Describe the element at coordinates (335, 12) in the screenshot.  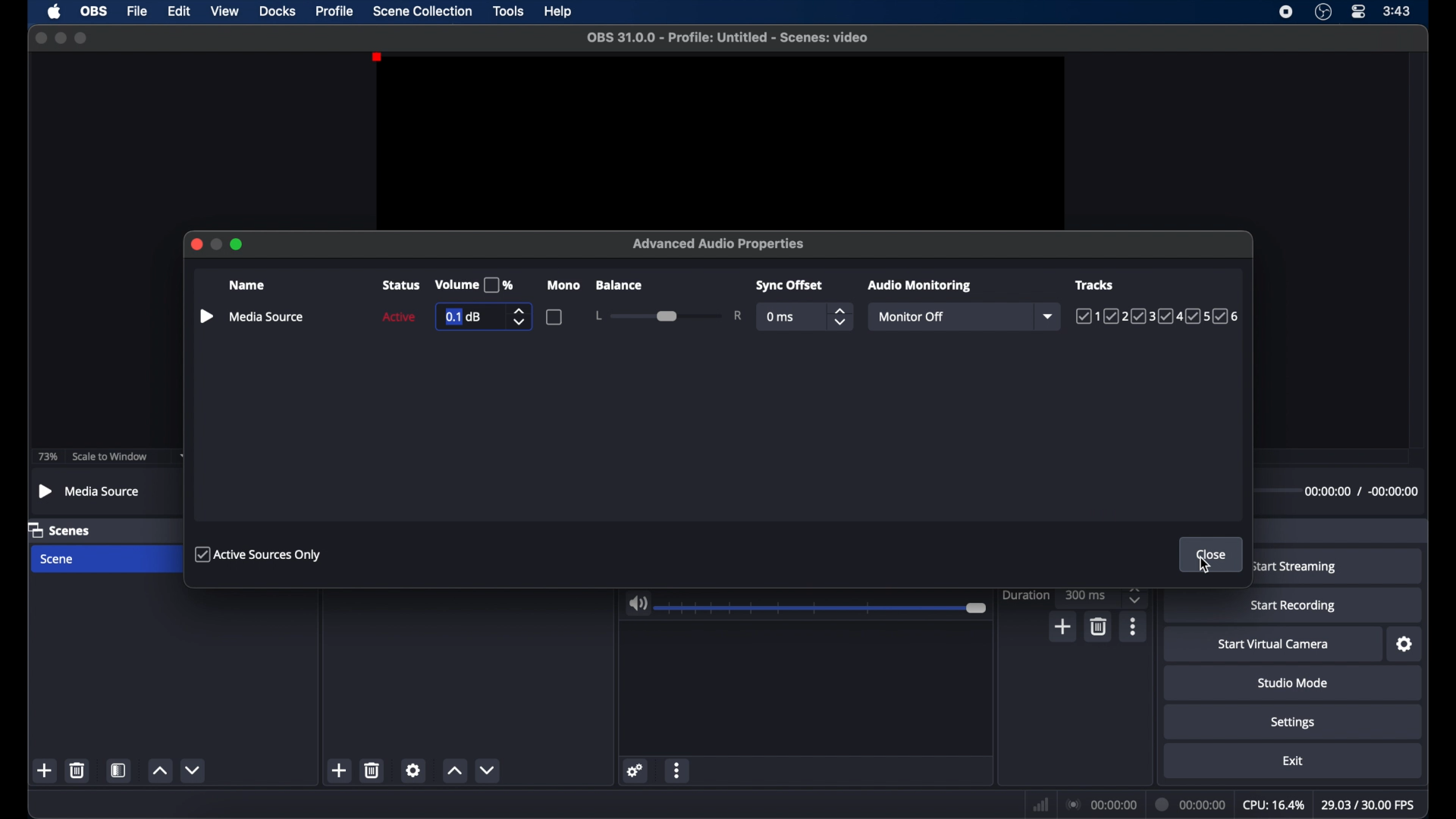
I see `profile` at that location.